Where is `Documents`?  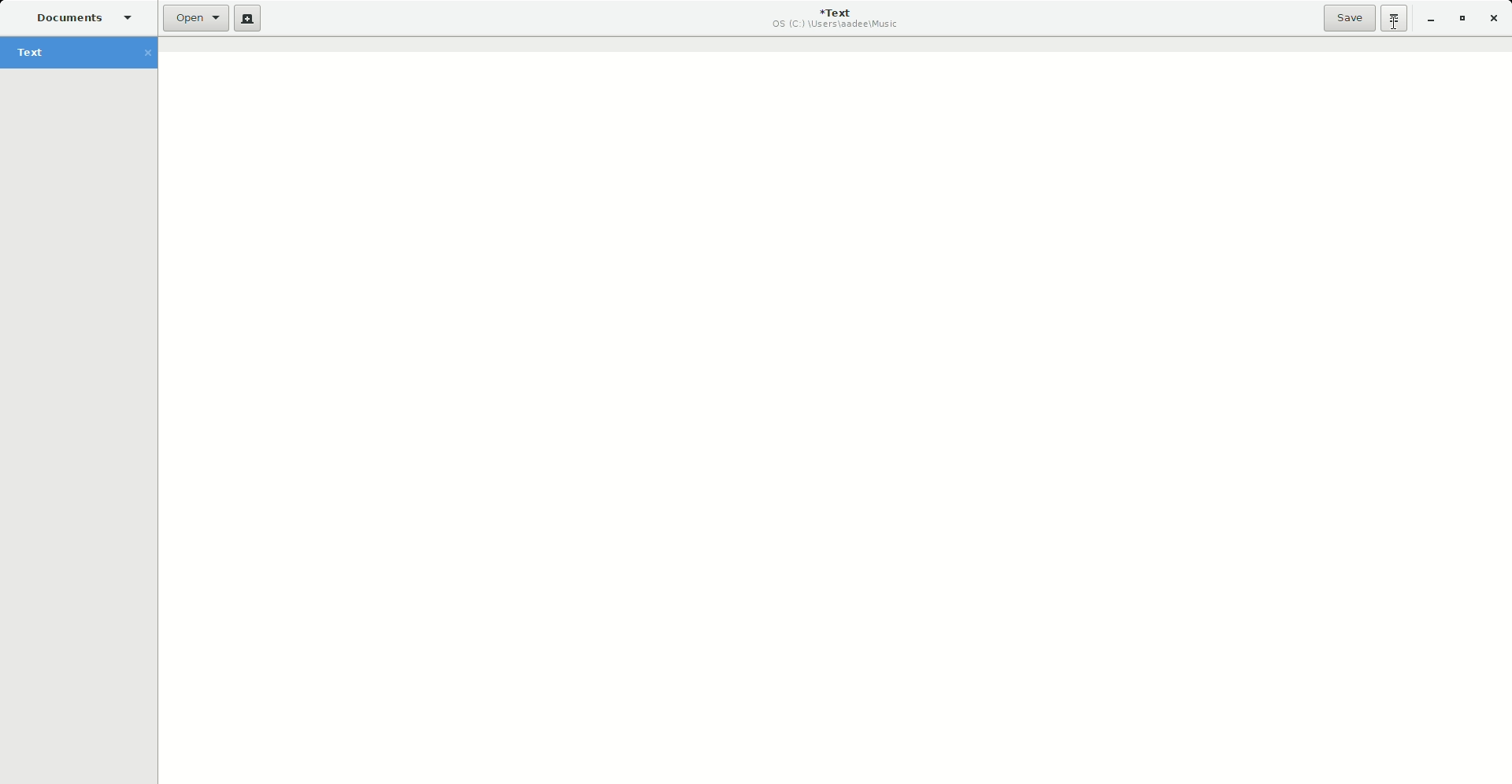 Documents is located at coordinates (77, 17).